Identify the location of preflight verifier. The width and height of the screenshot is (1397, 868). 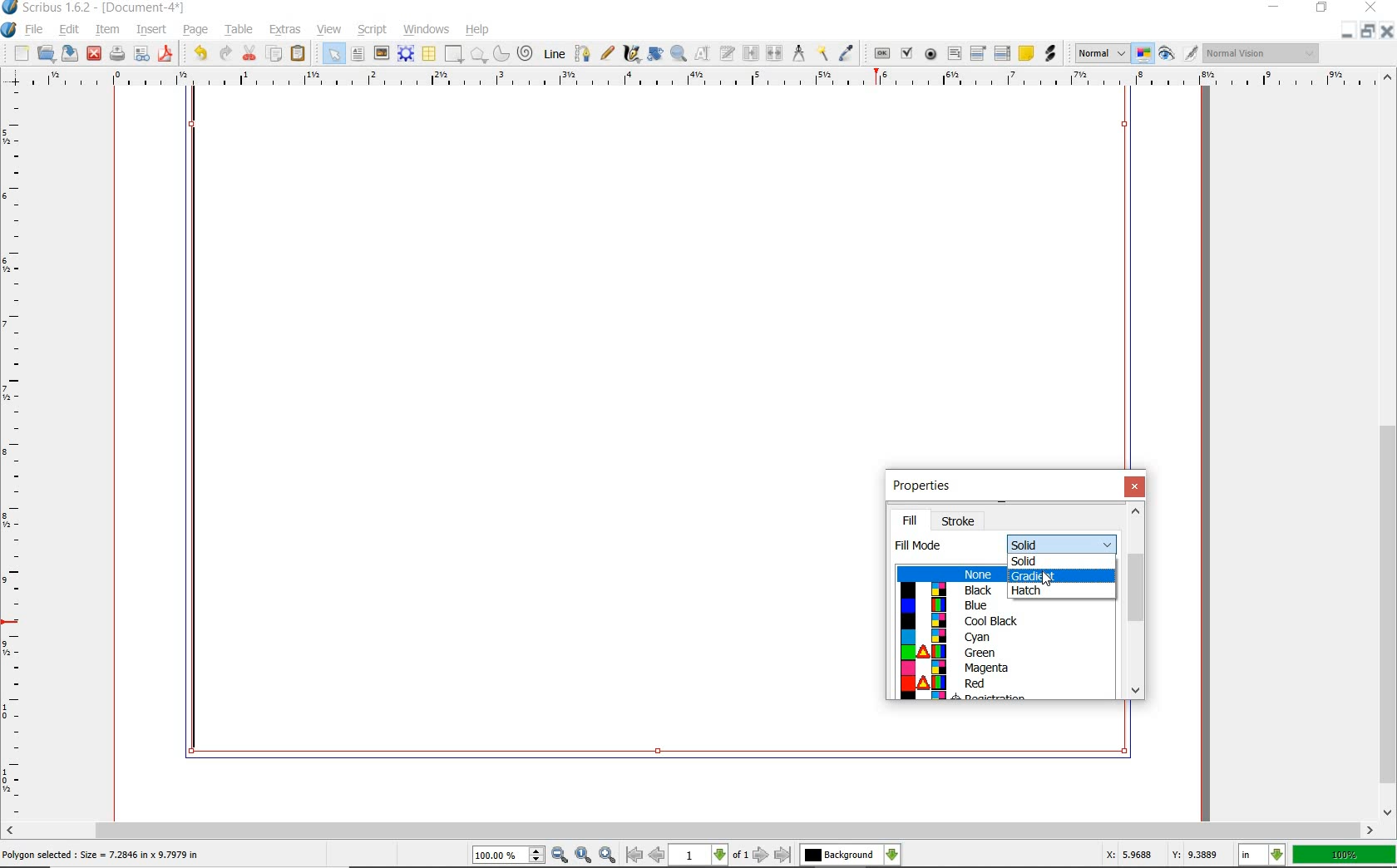
(142, 54).